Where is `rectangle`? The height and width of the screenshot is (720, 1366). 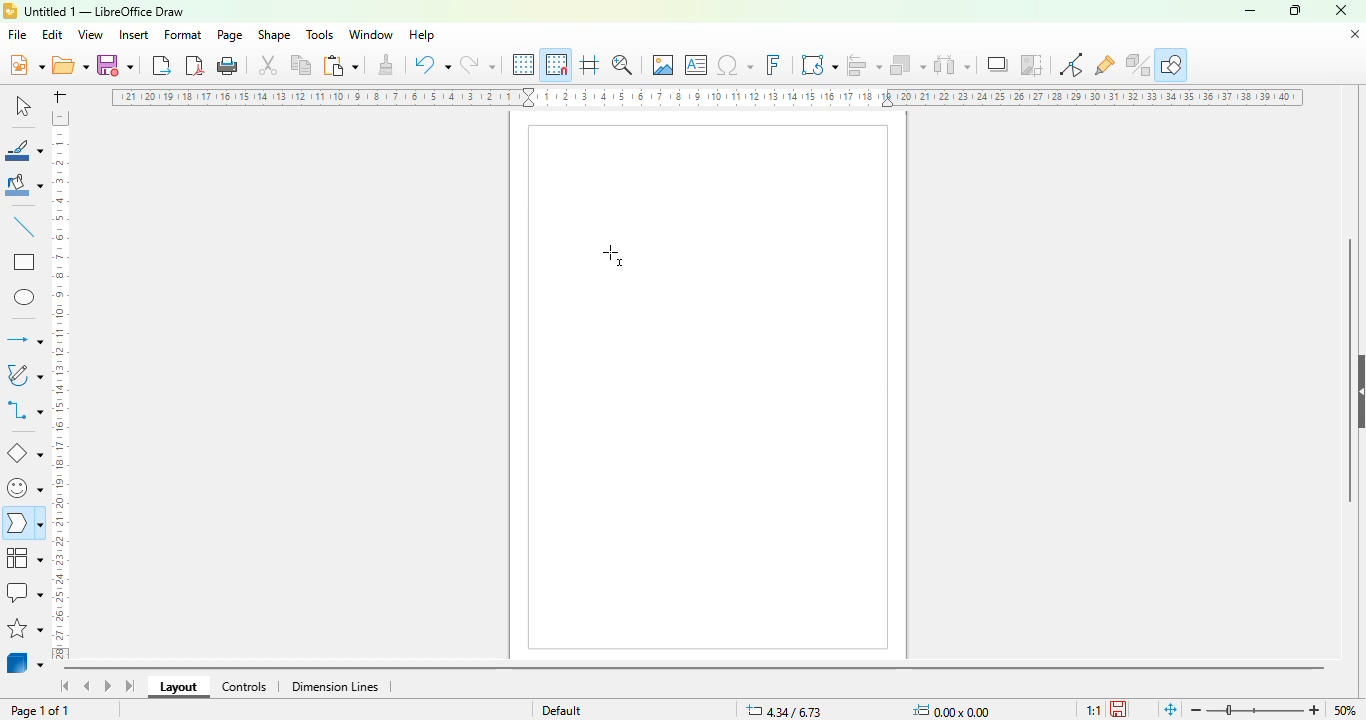 rectangle is located at coordinates (25, 261).